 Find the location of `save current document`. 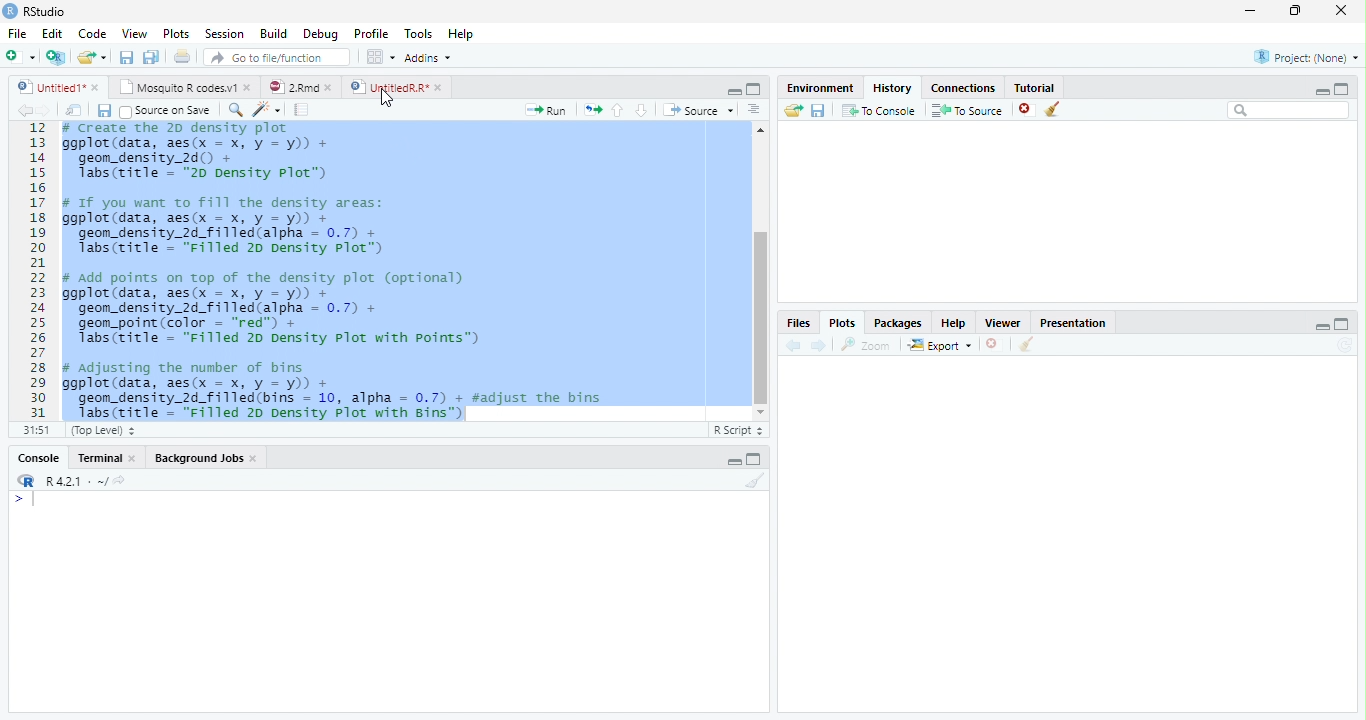

save current document is located at coordinates (125, 57).